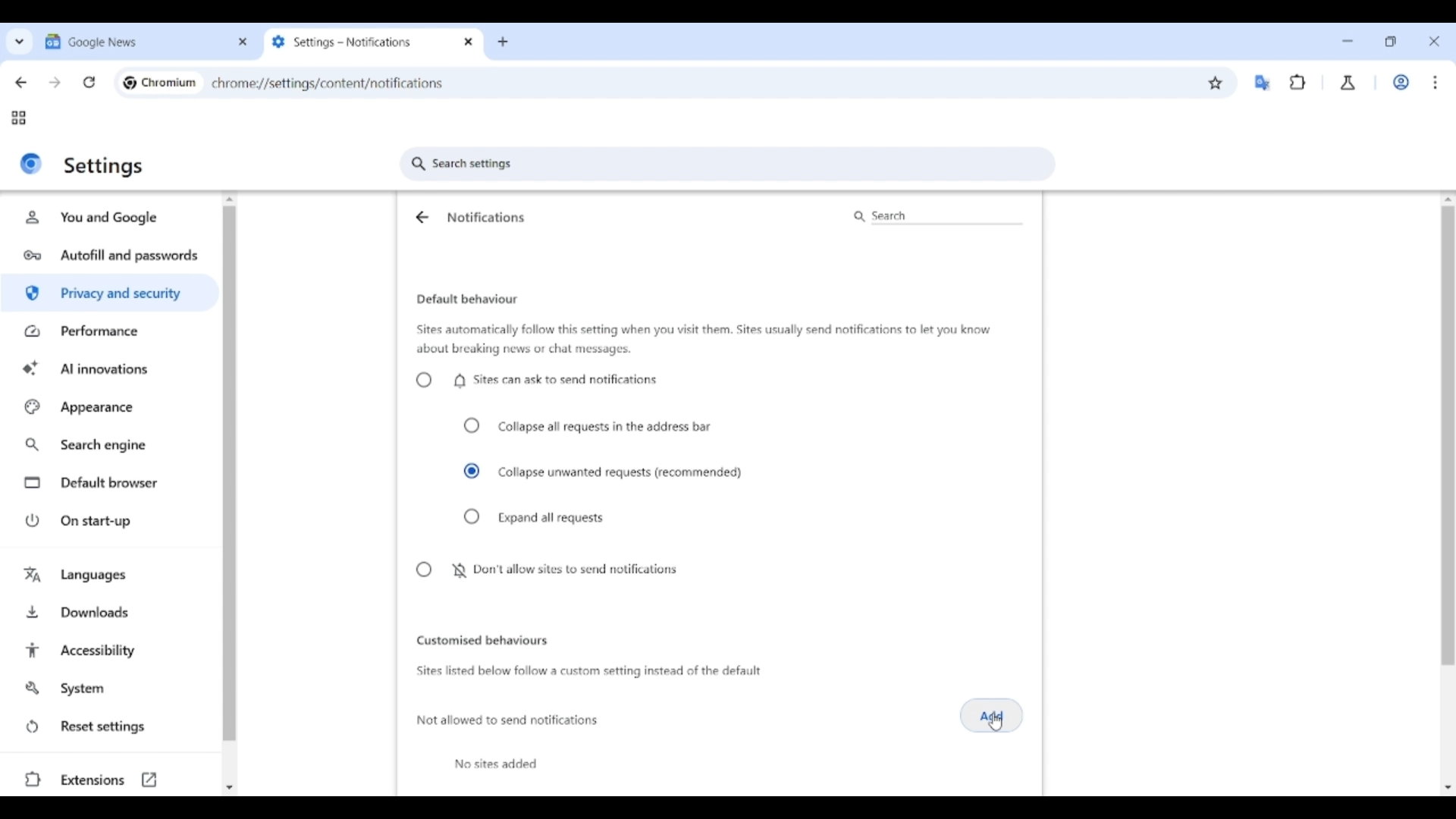 The image size is (1456, 819). I want to click on Minimize, so click(1348, 41).